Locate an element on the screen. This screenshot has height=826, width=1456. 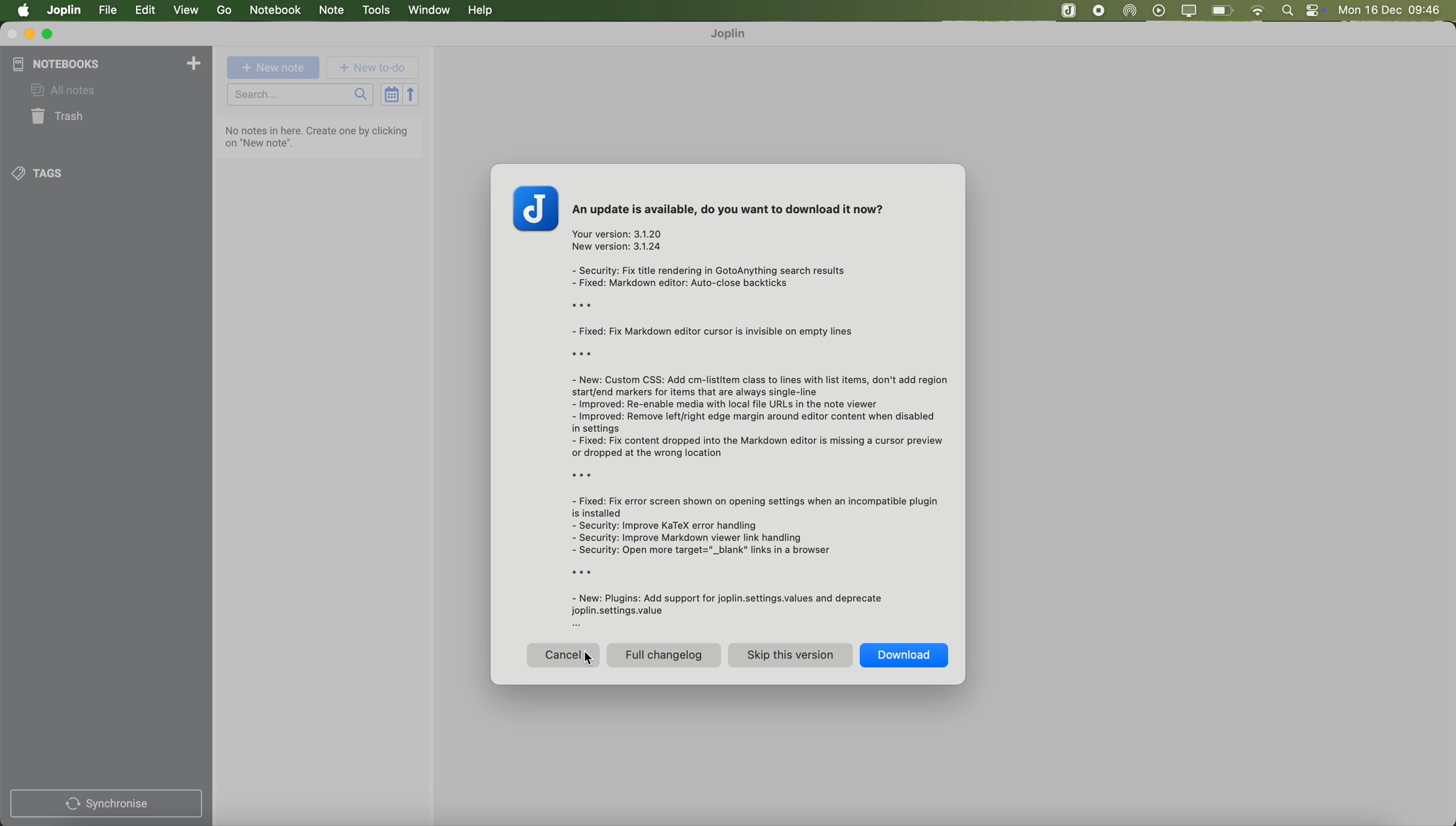
play is located at coordinates (1160, 10).